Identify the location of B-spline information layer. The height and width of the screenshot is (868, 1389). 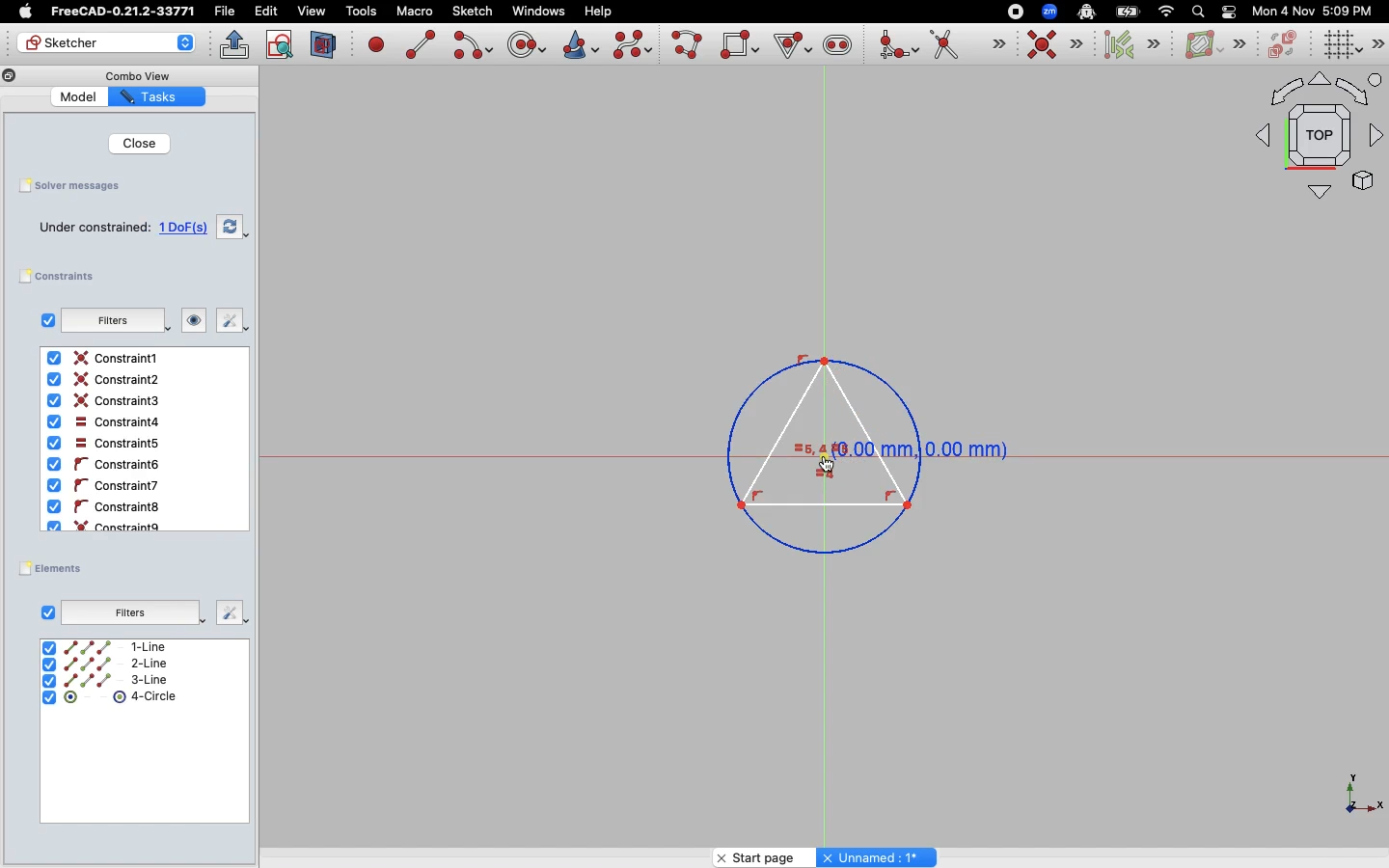
(1213, 45).